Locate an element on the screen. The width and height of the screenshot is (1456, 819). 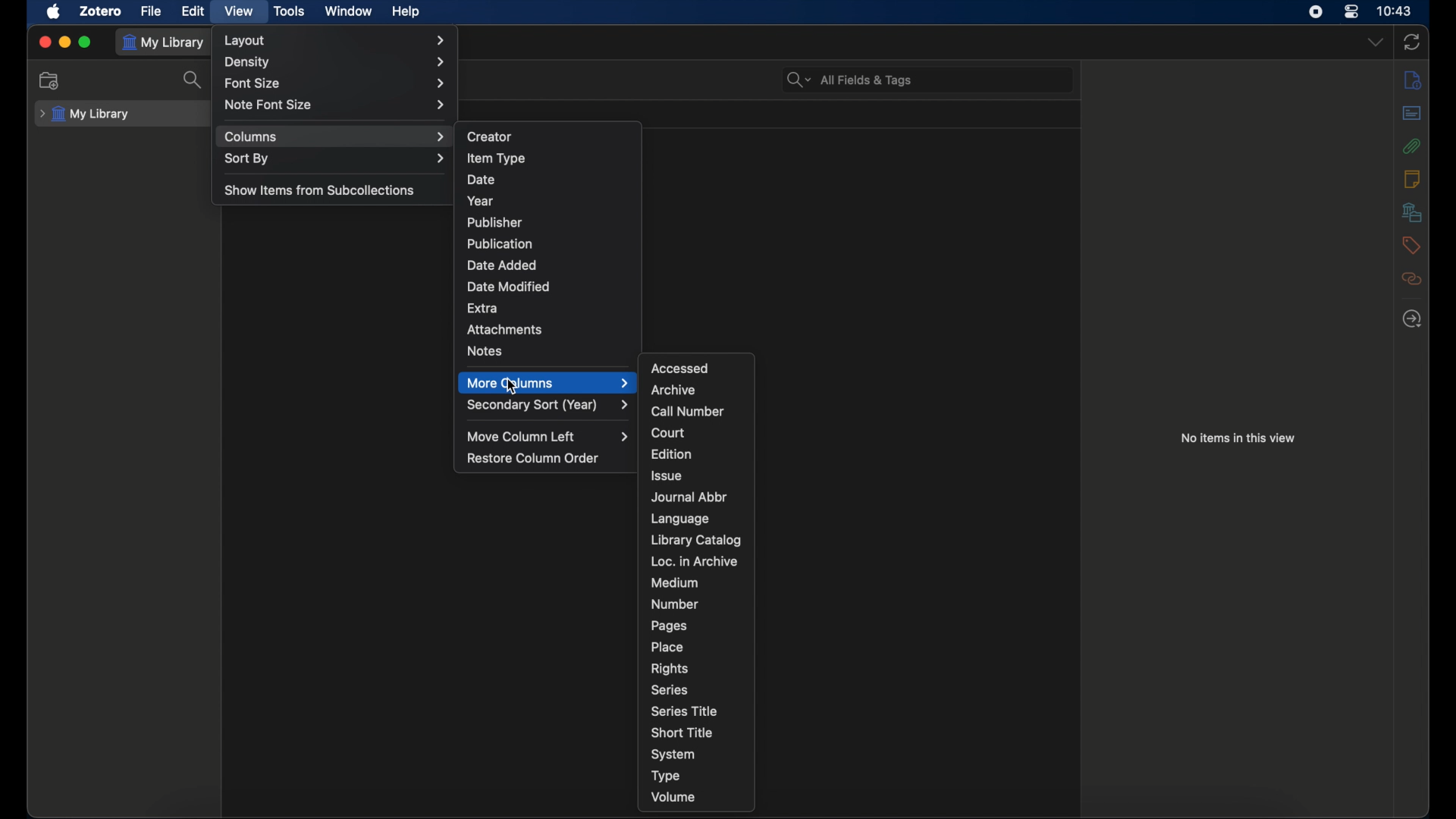
more columns is located at coordinates (548, 382).